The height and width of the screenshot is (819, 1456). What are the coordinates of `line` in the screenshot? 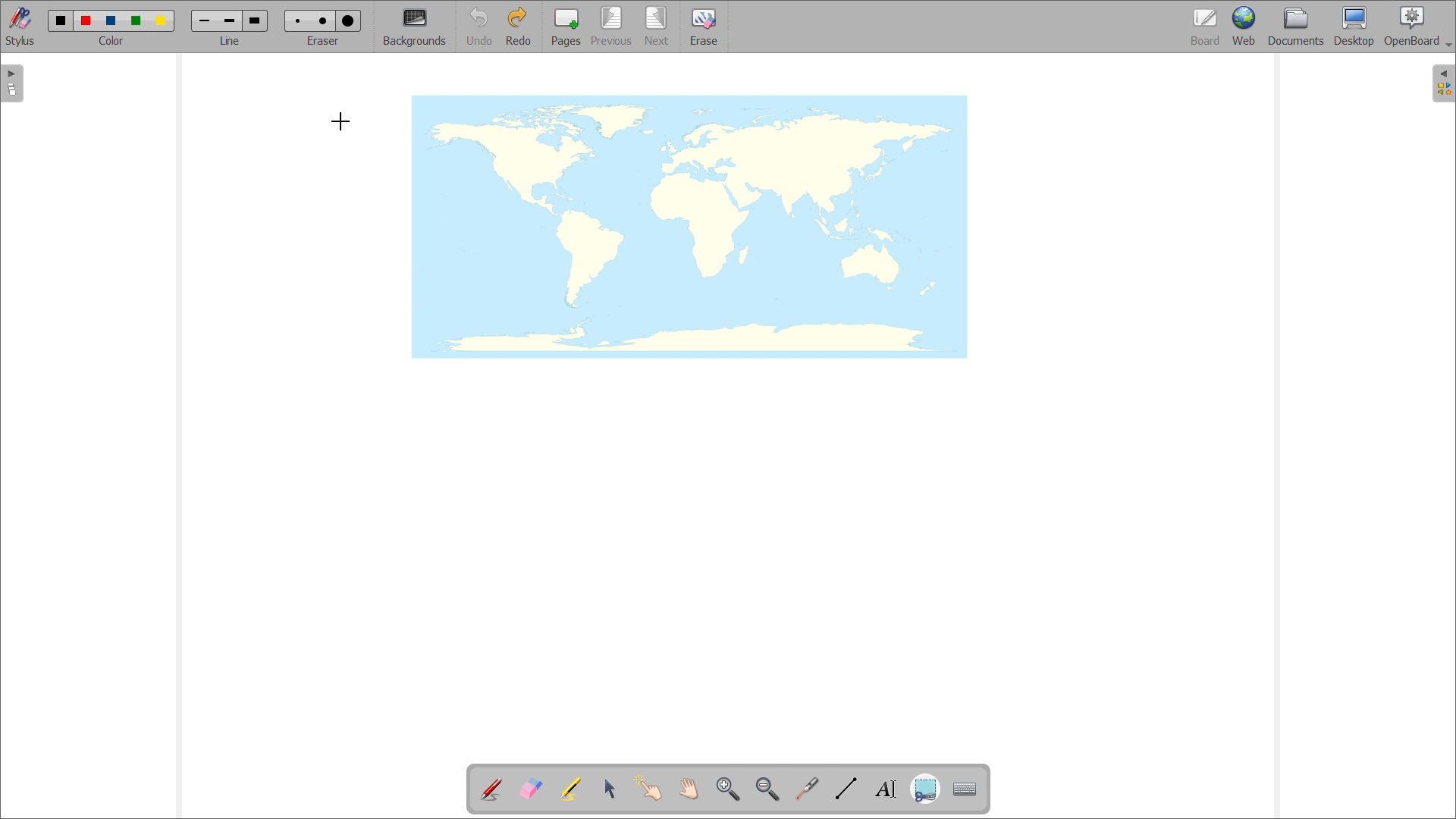 It's located at (230, 40).